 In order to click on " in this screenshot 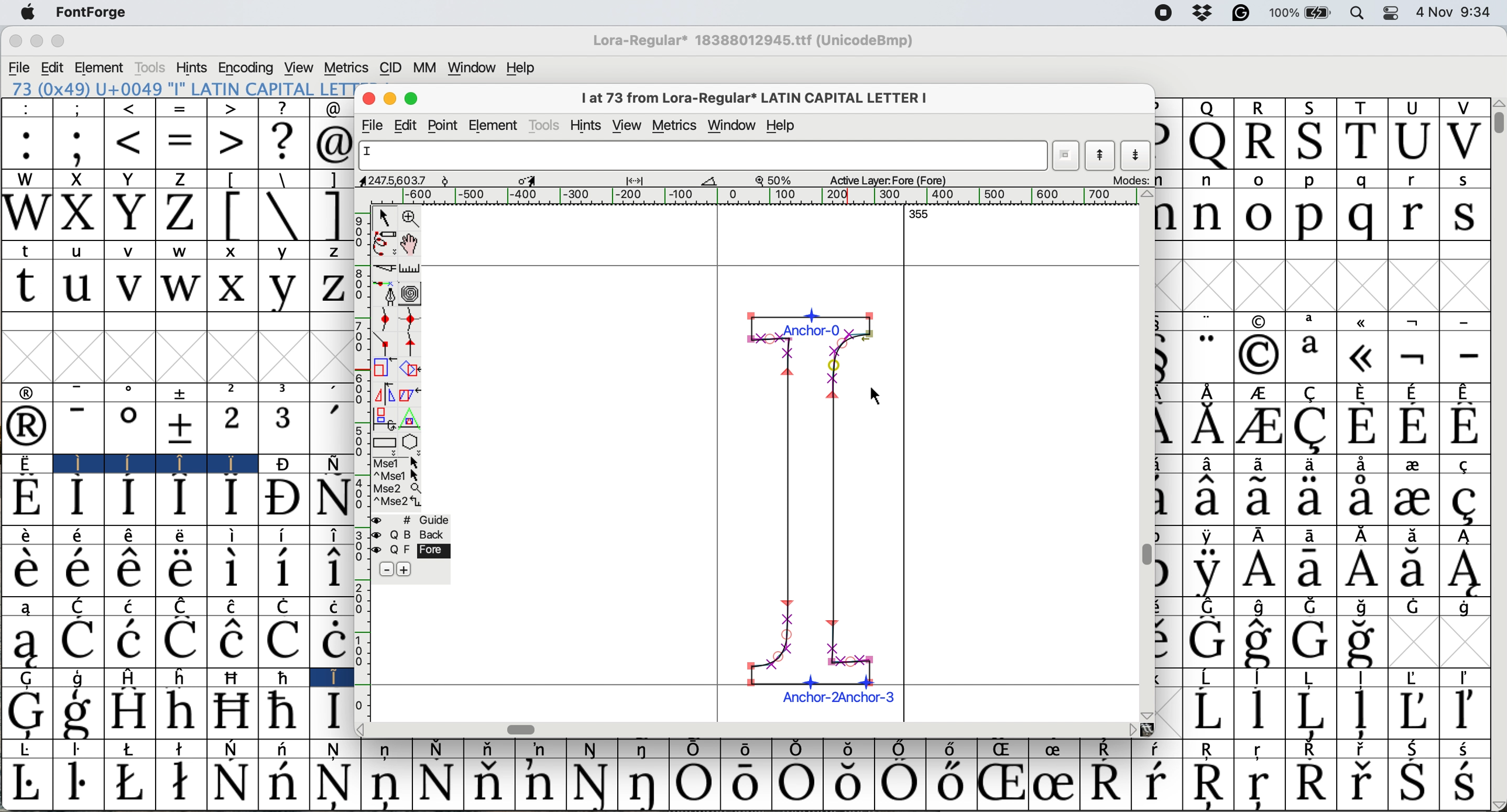, I will do `click(1210, 320)`.